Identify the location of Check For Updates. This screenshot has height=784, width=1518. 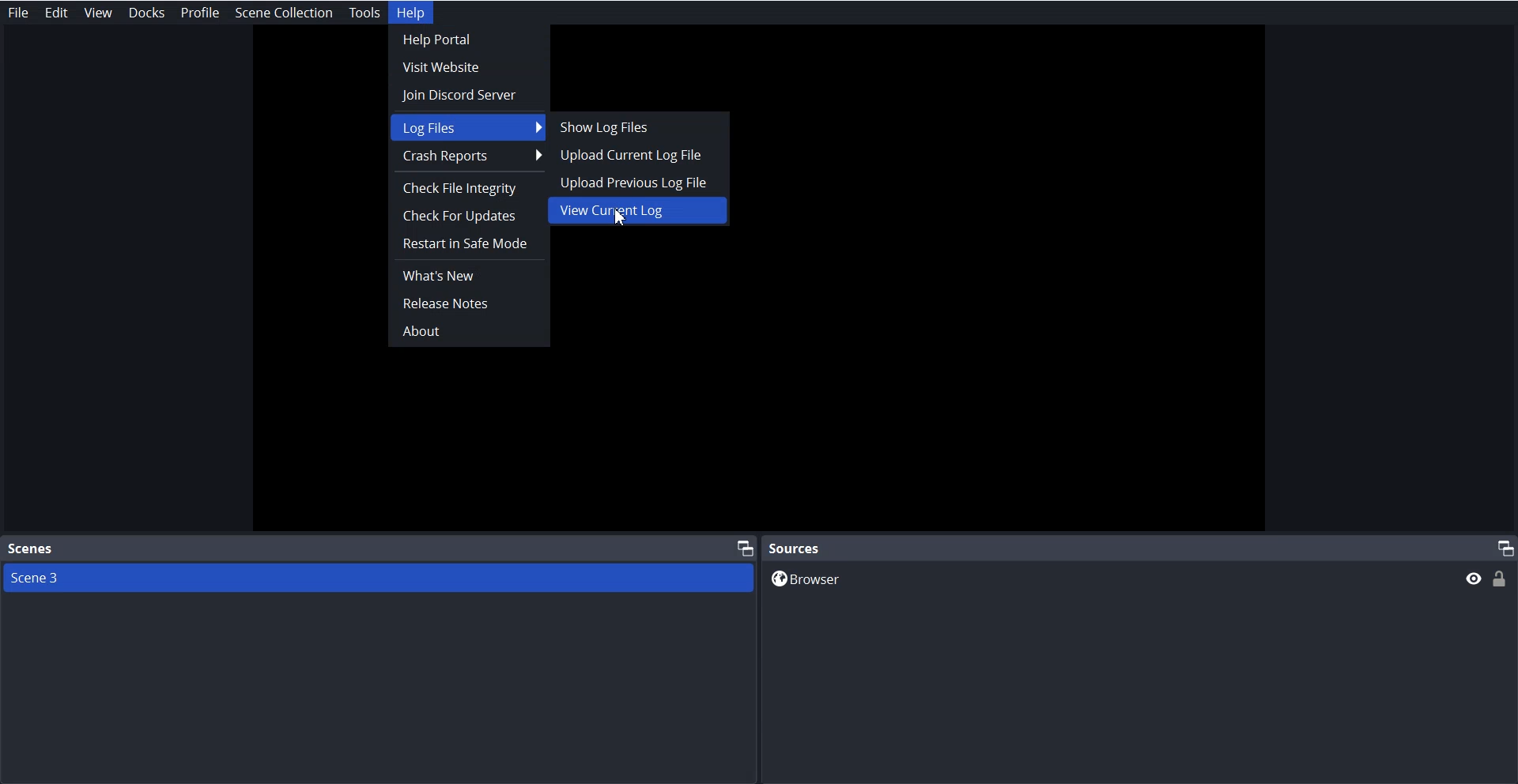
(469, 216).